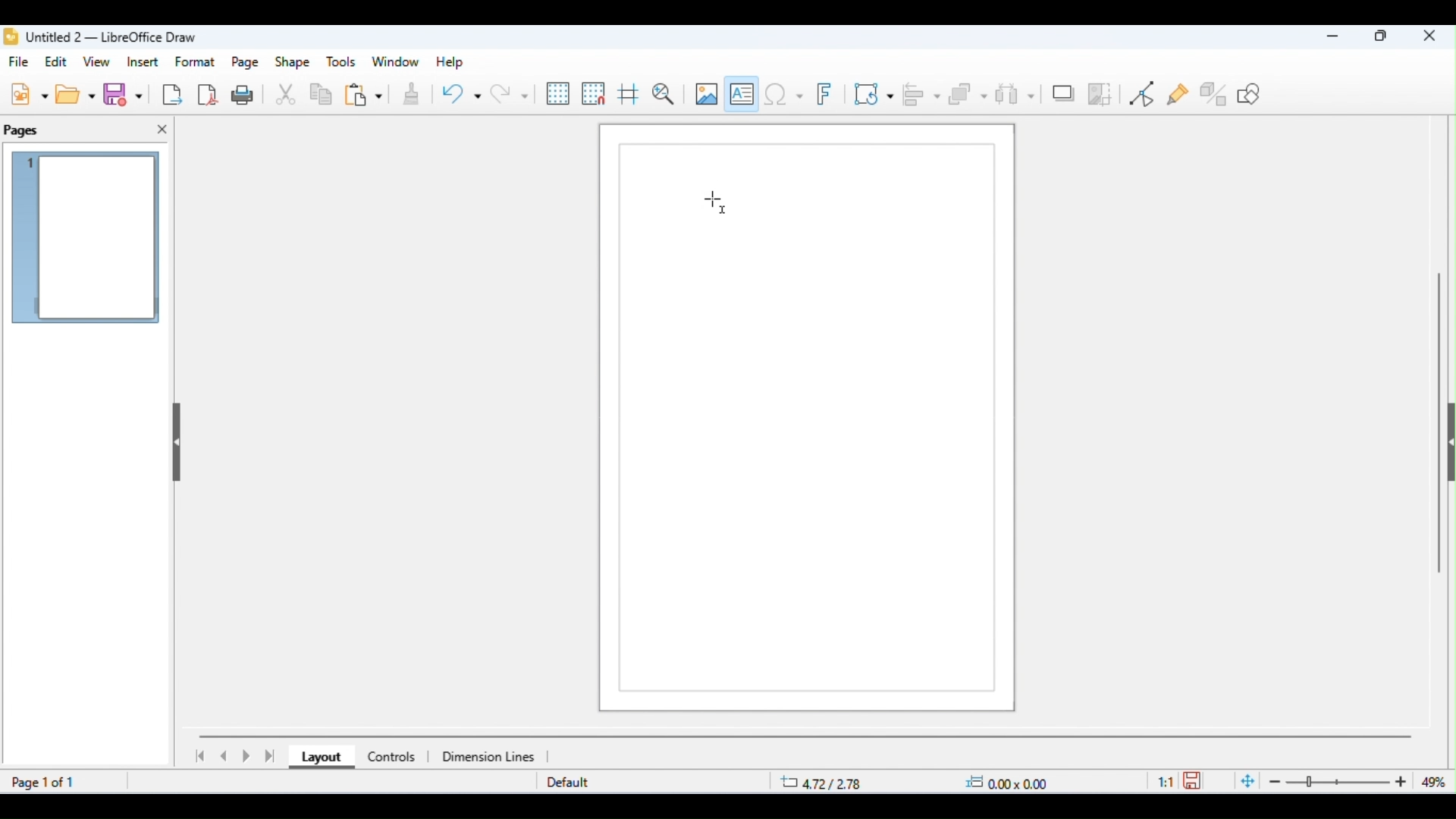 This screenshot has height=819, width=1456. What do you see at coordinates (1145, 94) in the screenshot?
I see `toggle point edit mode` at bounding box center [1145, 94].